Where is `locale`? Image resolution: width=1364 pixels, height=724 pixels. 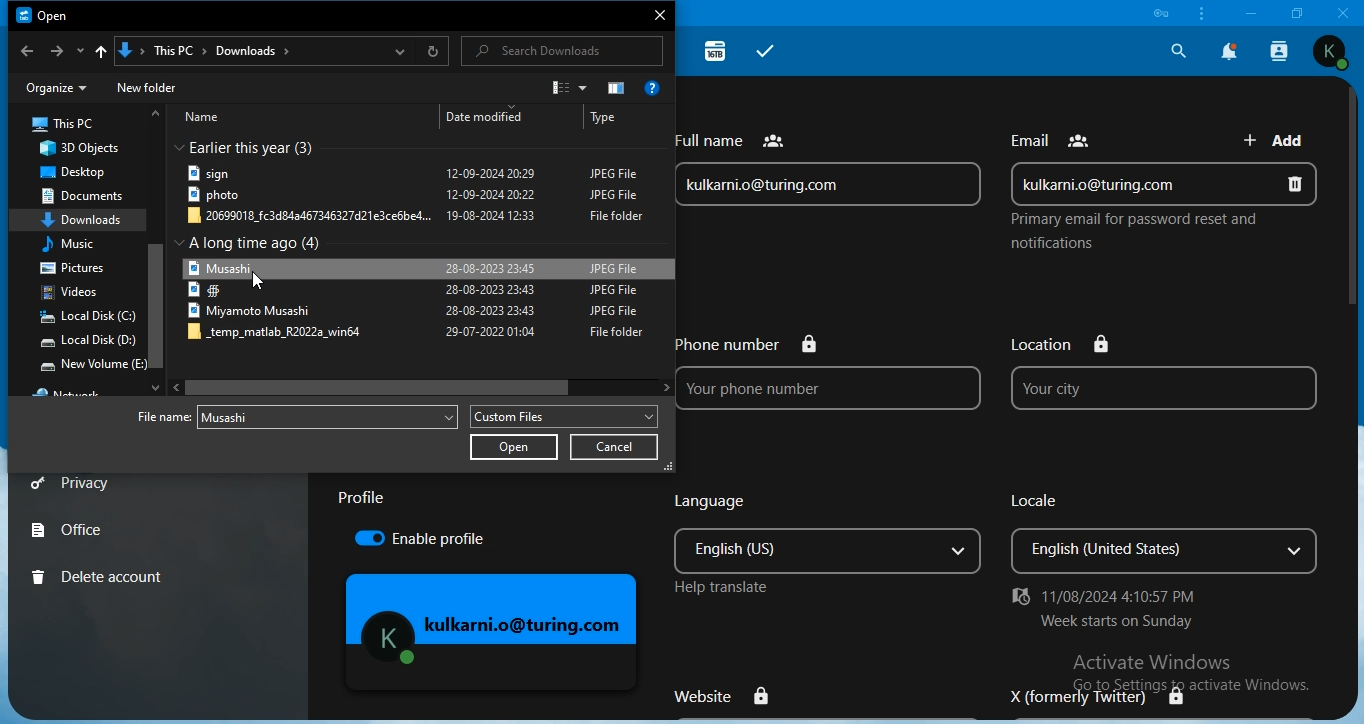 locale is located at coordinates (1165, 531).